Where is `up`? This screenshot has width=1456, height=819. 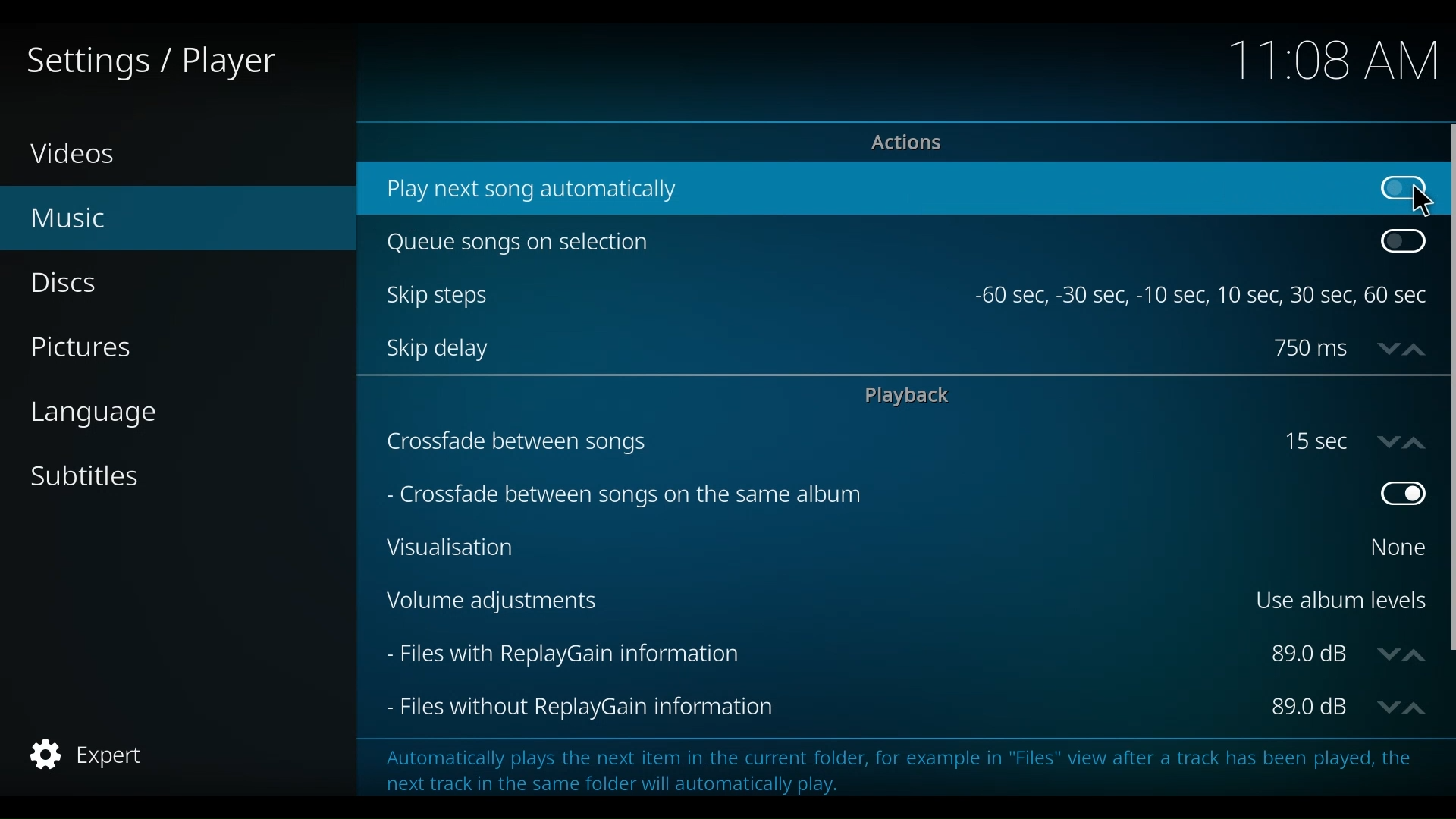
up is located at coordinates (1418, 441).